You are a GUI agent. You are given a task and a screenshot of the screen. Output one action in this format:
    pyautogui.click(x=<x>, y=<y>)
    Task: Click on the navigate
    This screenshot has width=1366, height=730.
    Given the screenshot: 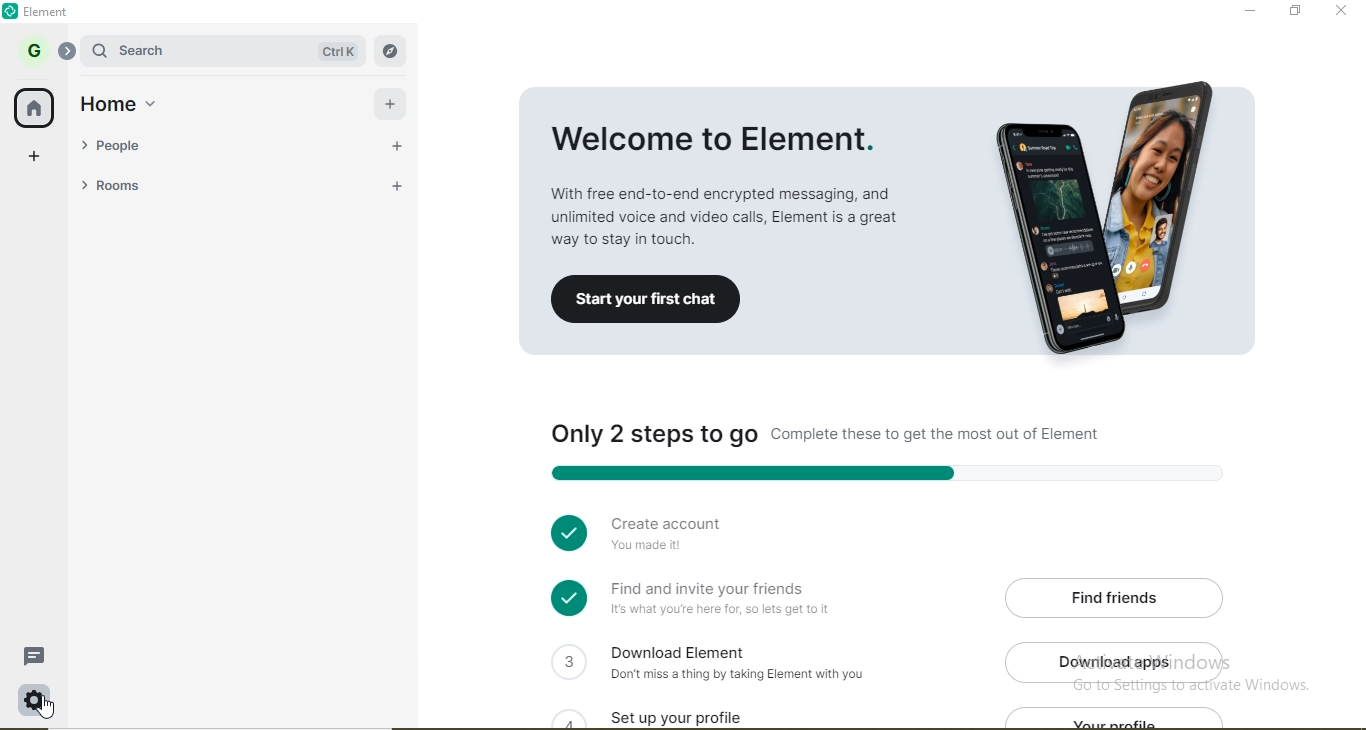 What is the action you would take?
    pyautogui.click(x=388, y=51)
    